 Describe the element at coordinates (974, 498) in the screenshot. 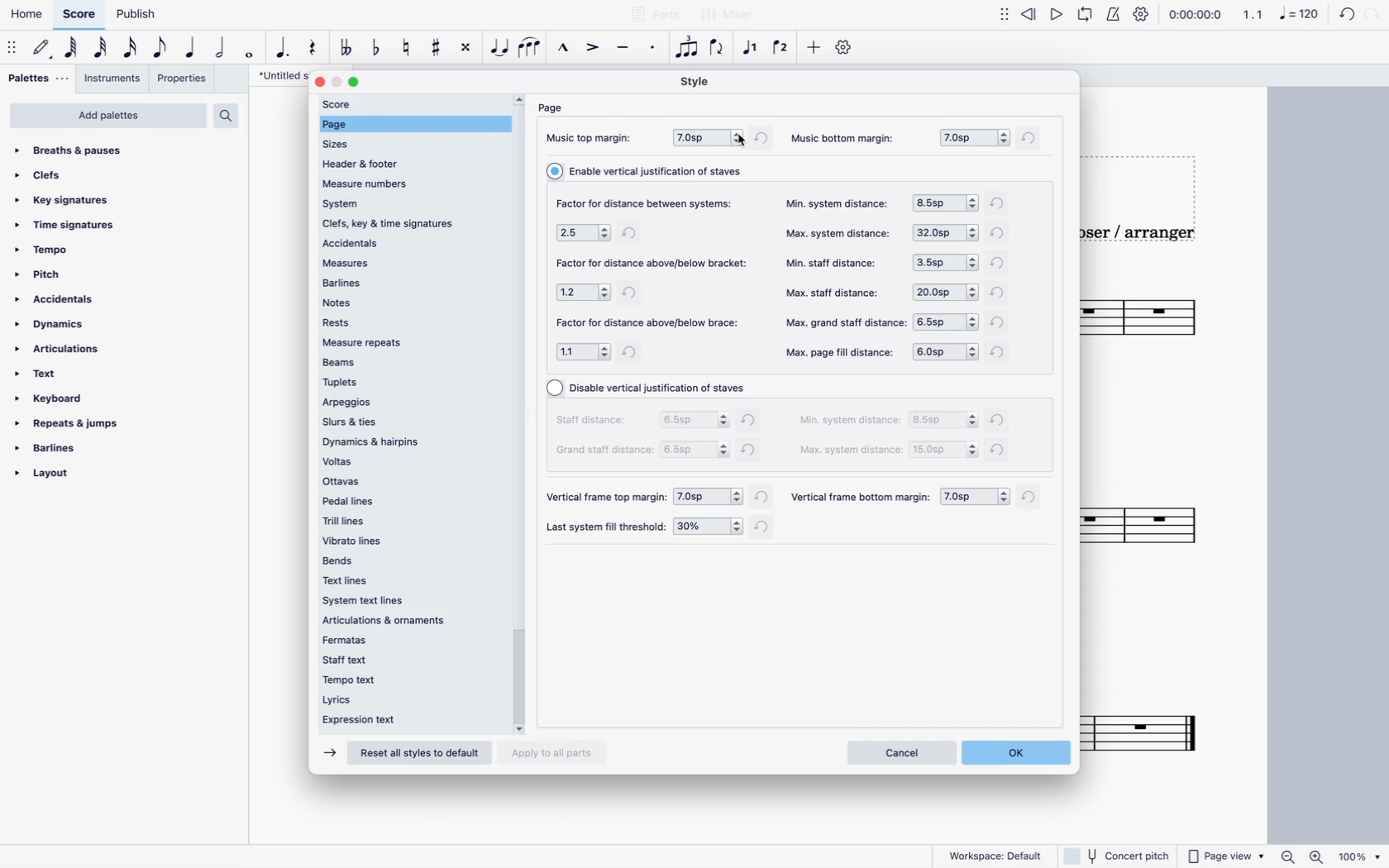

I see `options` at that location.